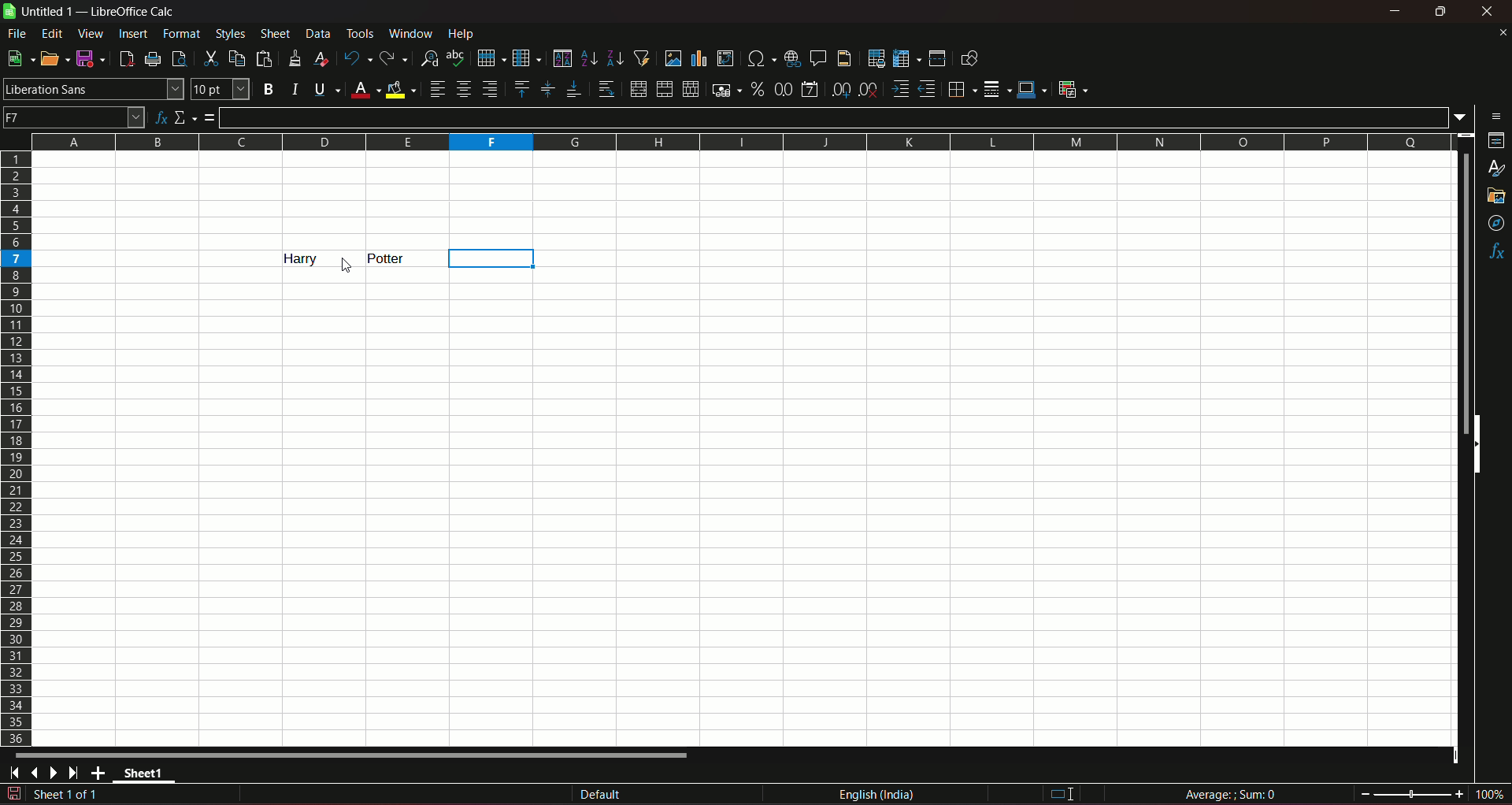 The image size is (1512, 805). I want to click on redo, so click(394, 57).